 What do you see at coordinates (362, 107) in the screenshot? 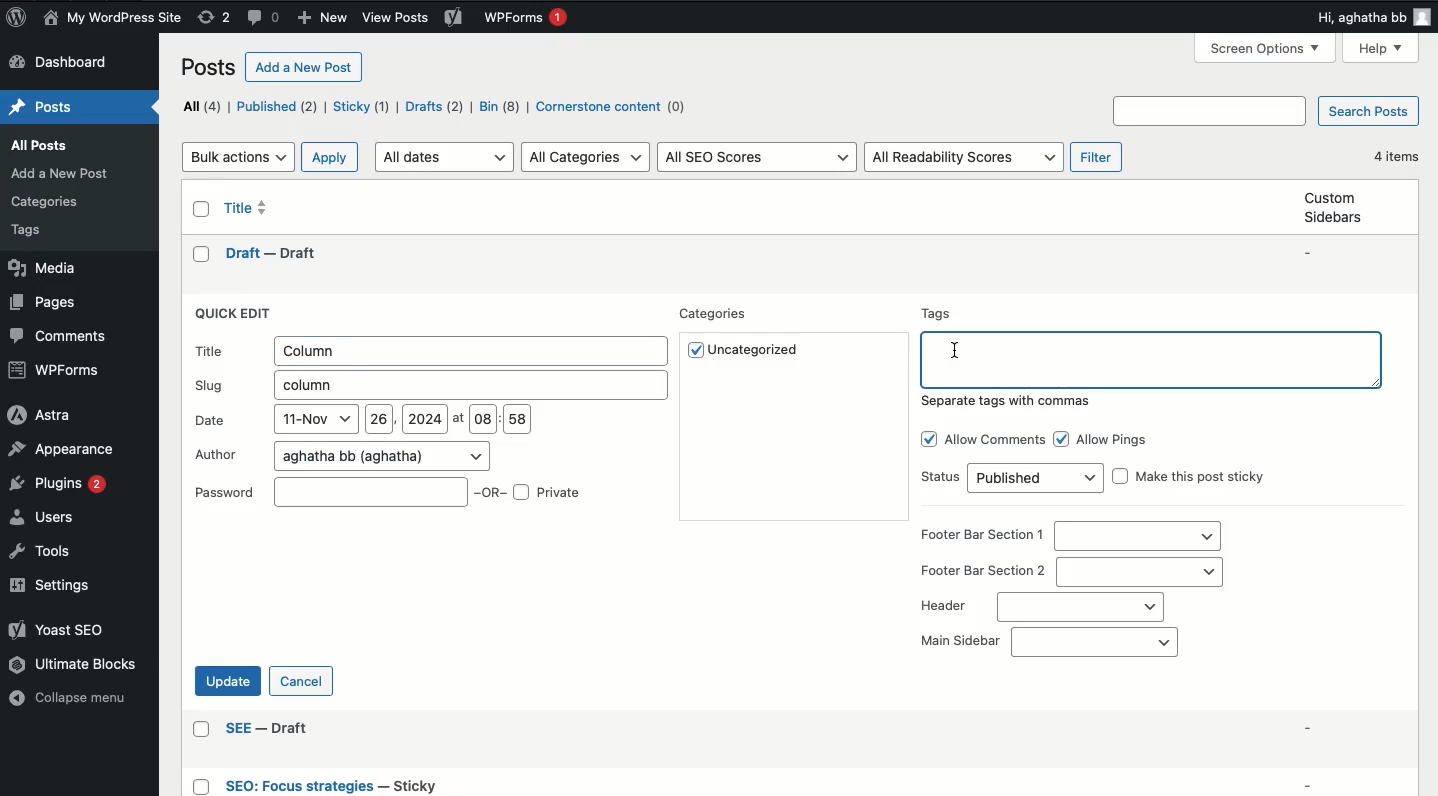
I see `Sticky` at bounding box center [362, 107].